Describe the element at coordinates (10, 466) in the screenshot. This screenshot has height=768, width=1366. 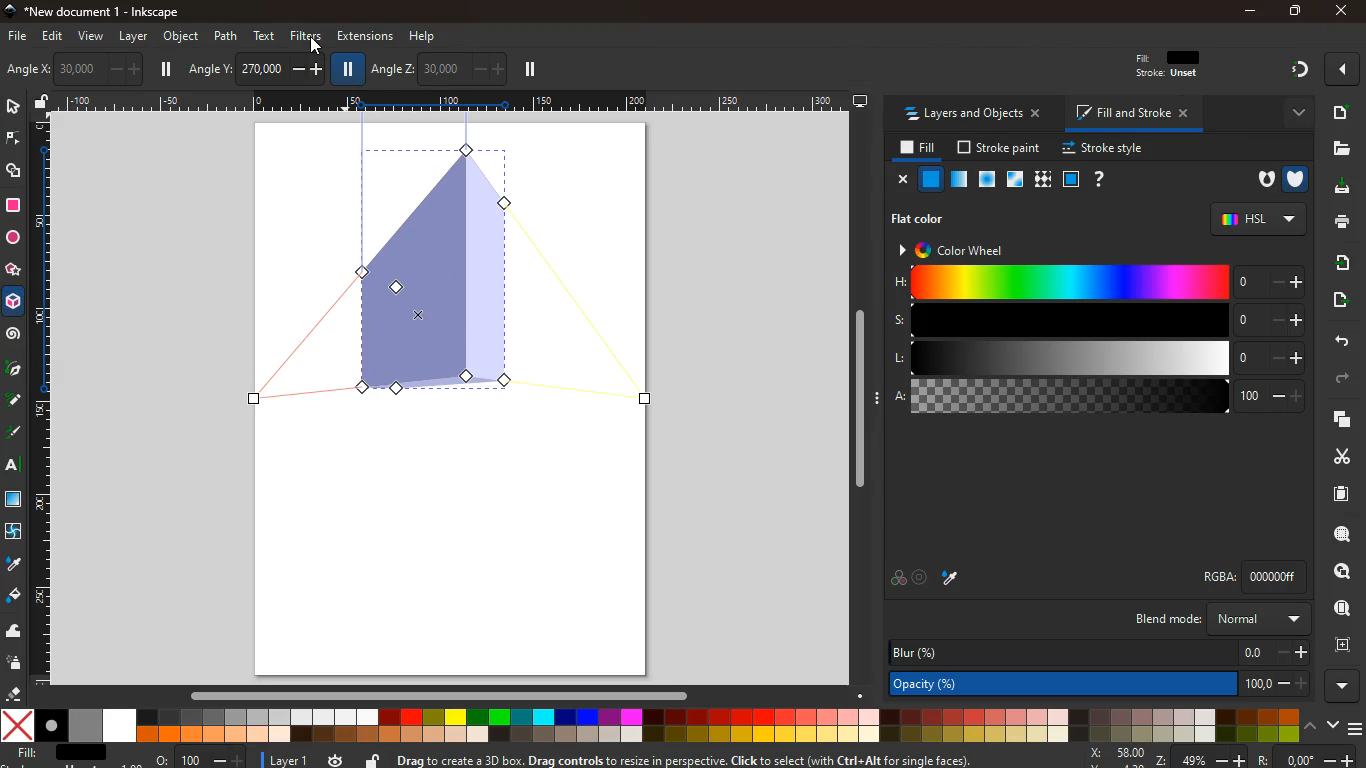
I see `text` at that location.